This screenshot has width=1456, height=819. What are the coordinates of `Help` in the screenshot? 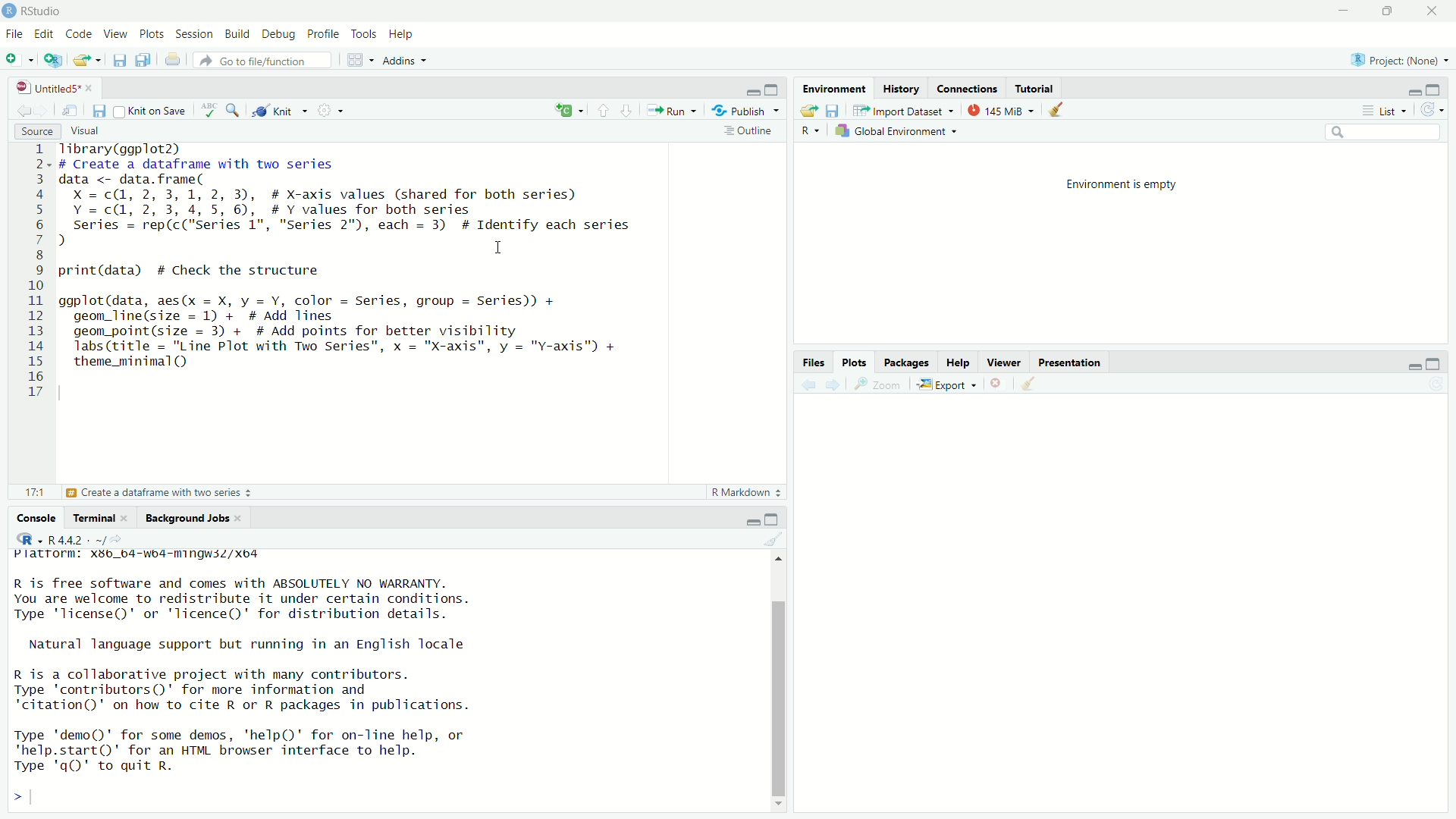 It's located at (404, 35).